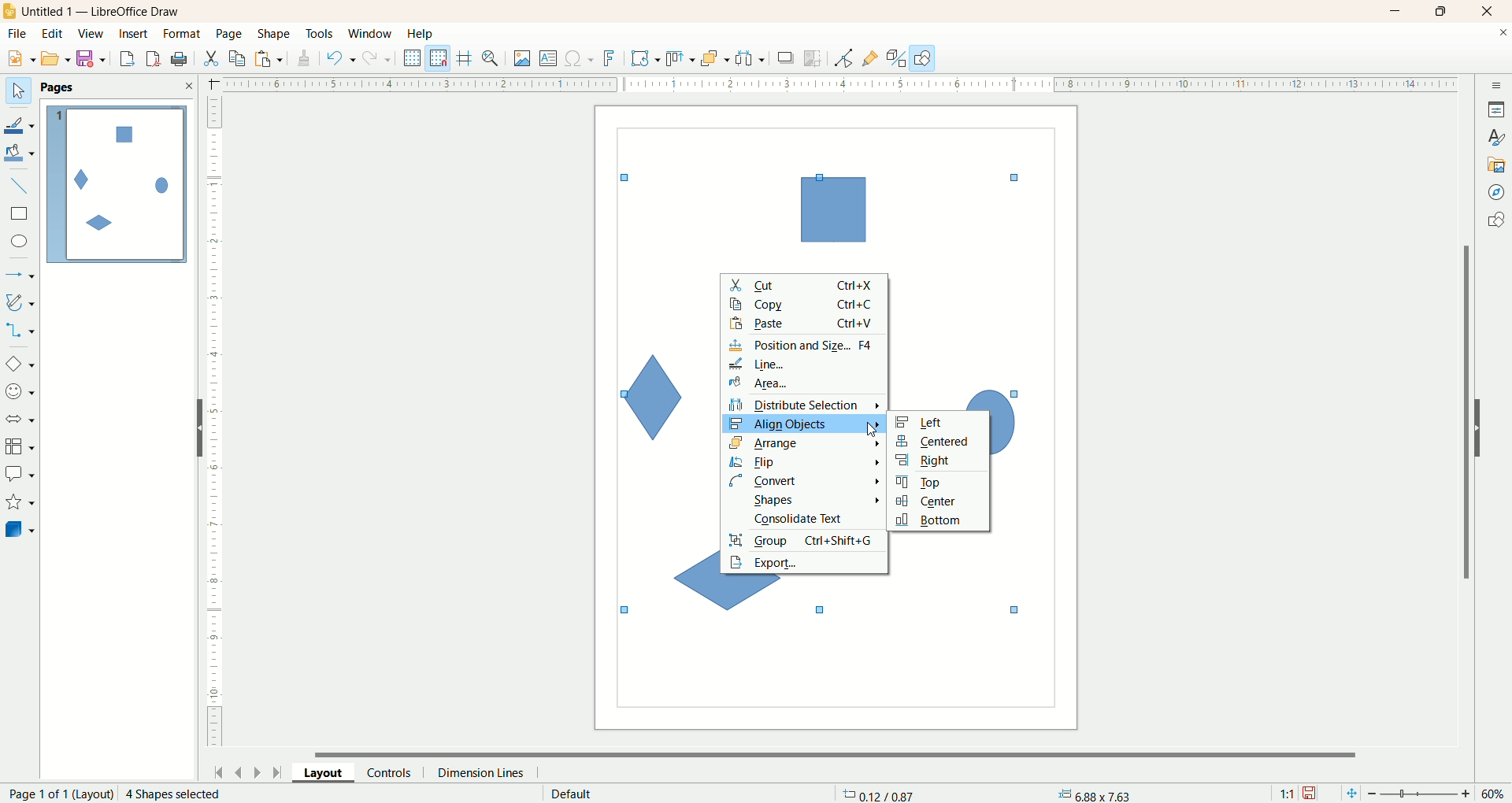 This screenshot has height=803, width=1512. What do you see at coordinates (580, 59) in the screenshot?
I see `special character` at bounding box center [580, 59].